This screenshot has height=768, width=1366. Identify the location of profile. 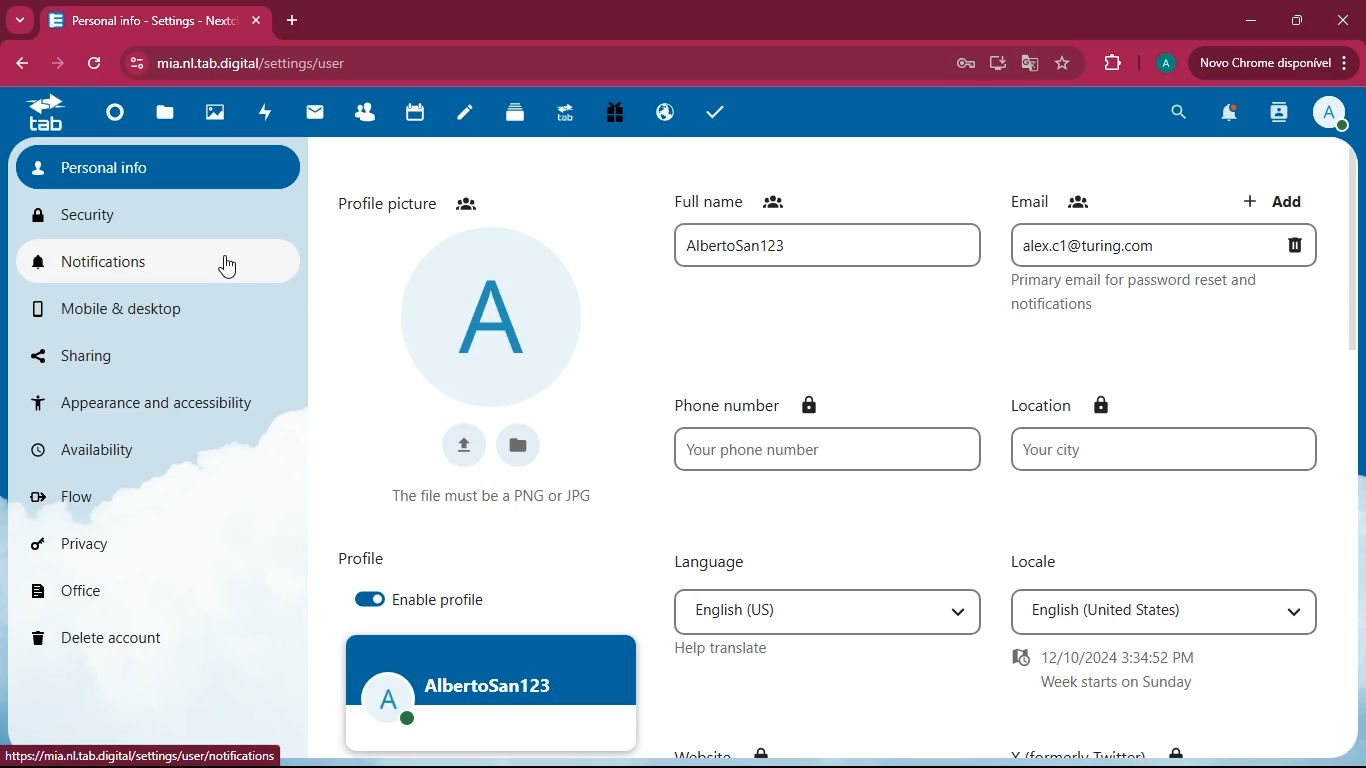
(493, 694).